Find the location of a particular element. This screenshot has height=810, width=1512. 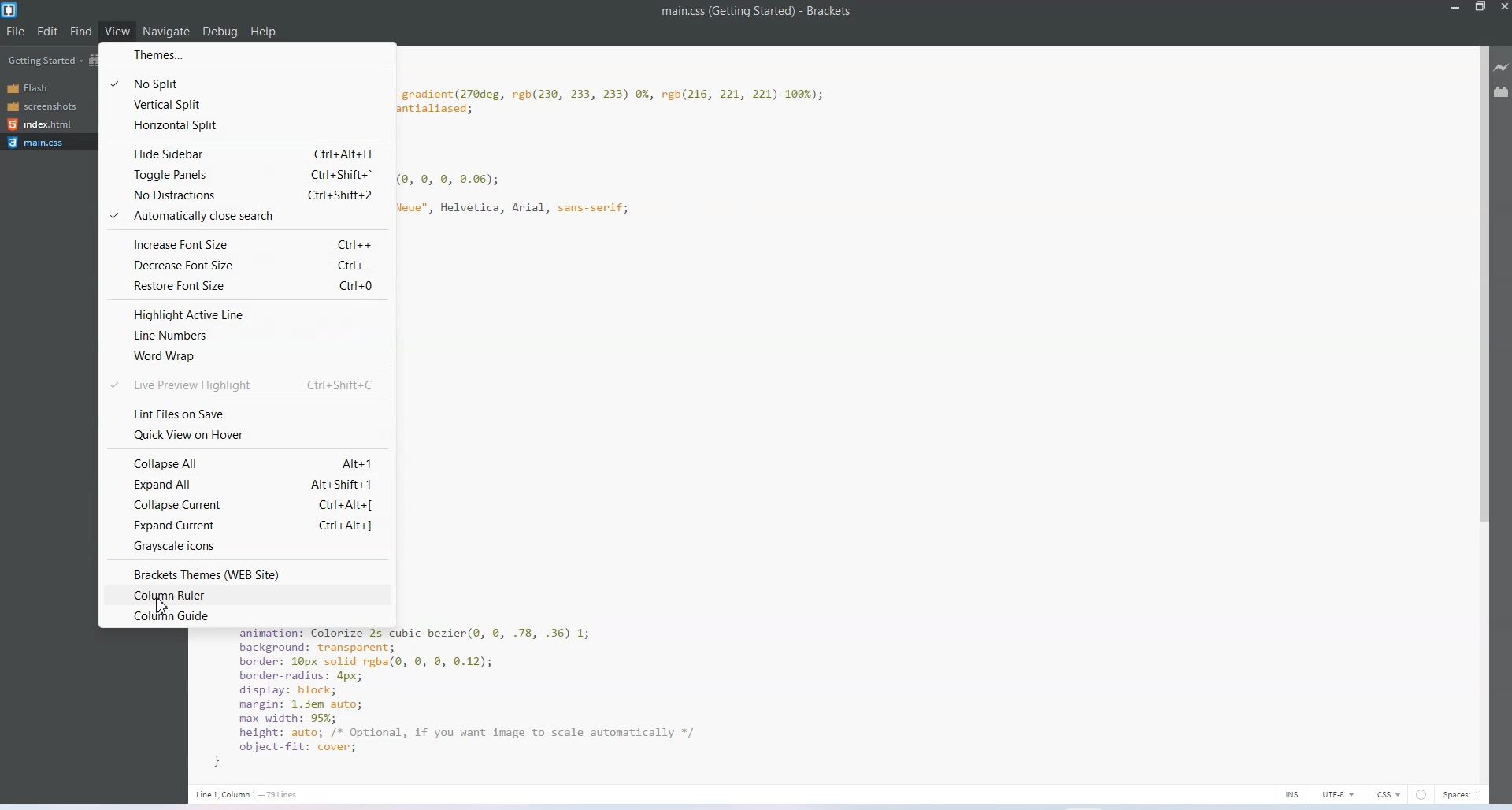

Navigate is located at coordinates (169, 32).